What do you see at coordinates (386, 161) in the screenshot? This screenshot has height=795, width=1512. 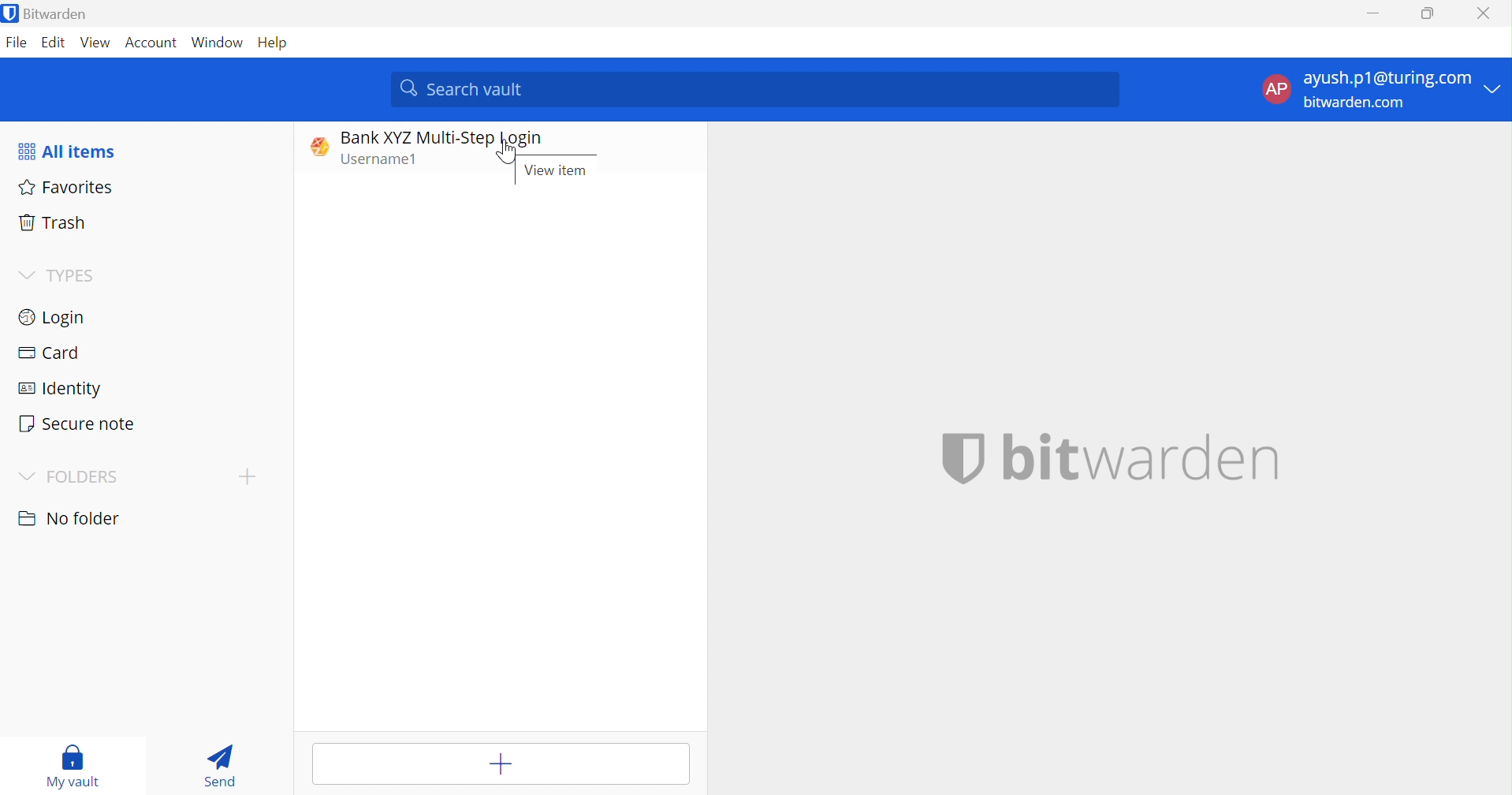 I see `Username1` at bounding box center [386, 161].